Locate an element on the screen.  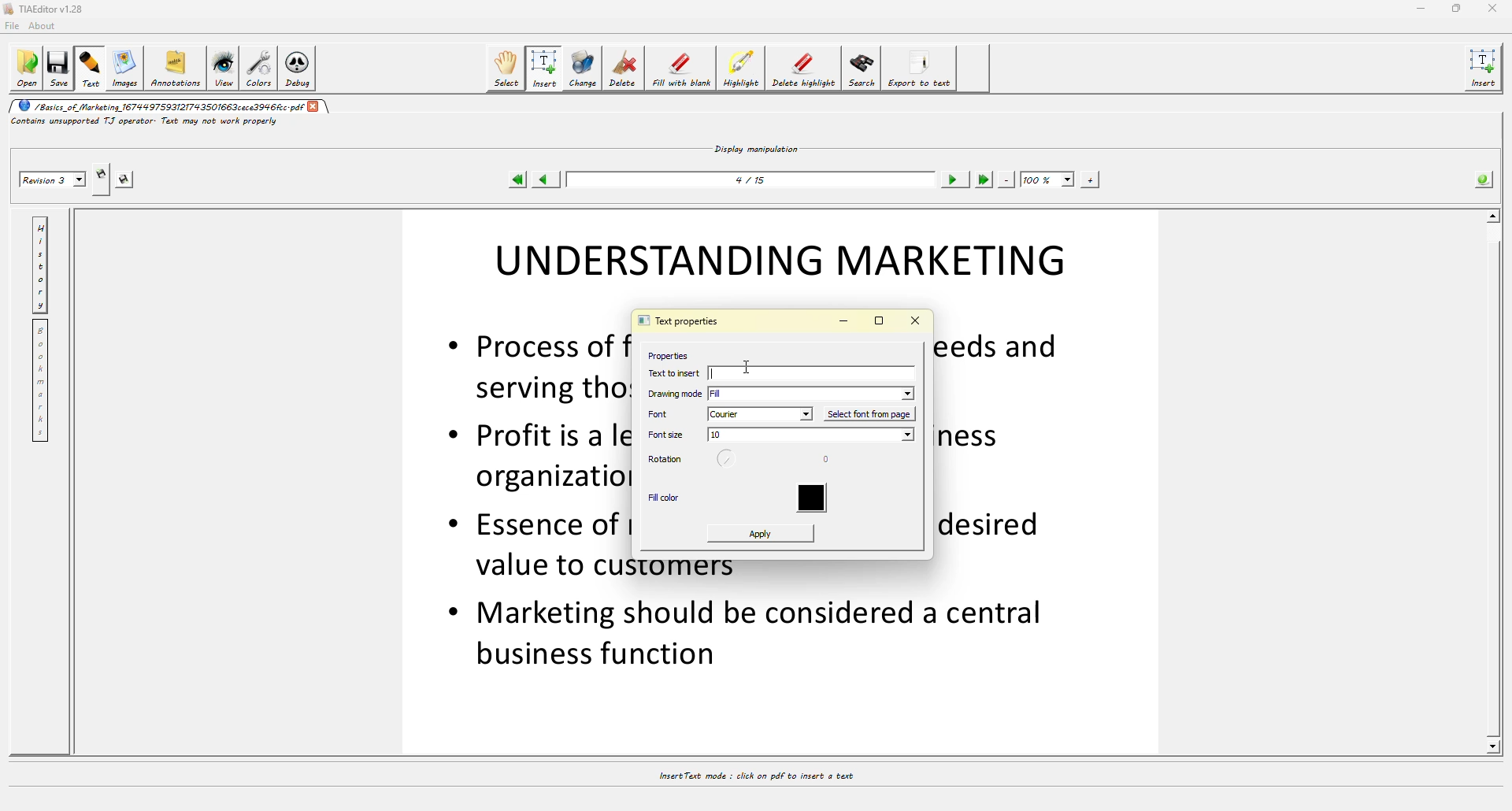
/Basics_of_Marketing_ 1674497593121743501663cece3946fcc.pdf is located at coordinates (160, 106).